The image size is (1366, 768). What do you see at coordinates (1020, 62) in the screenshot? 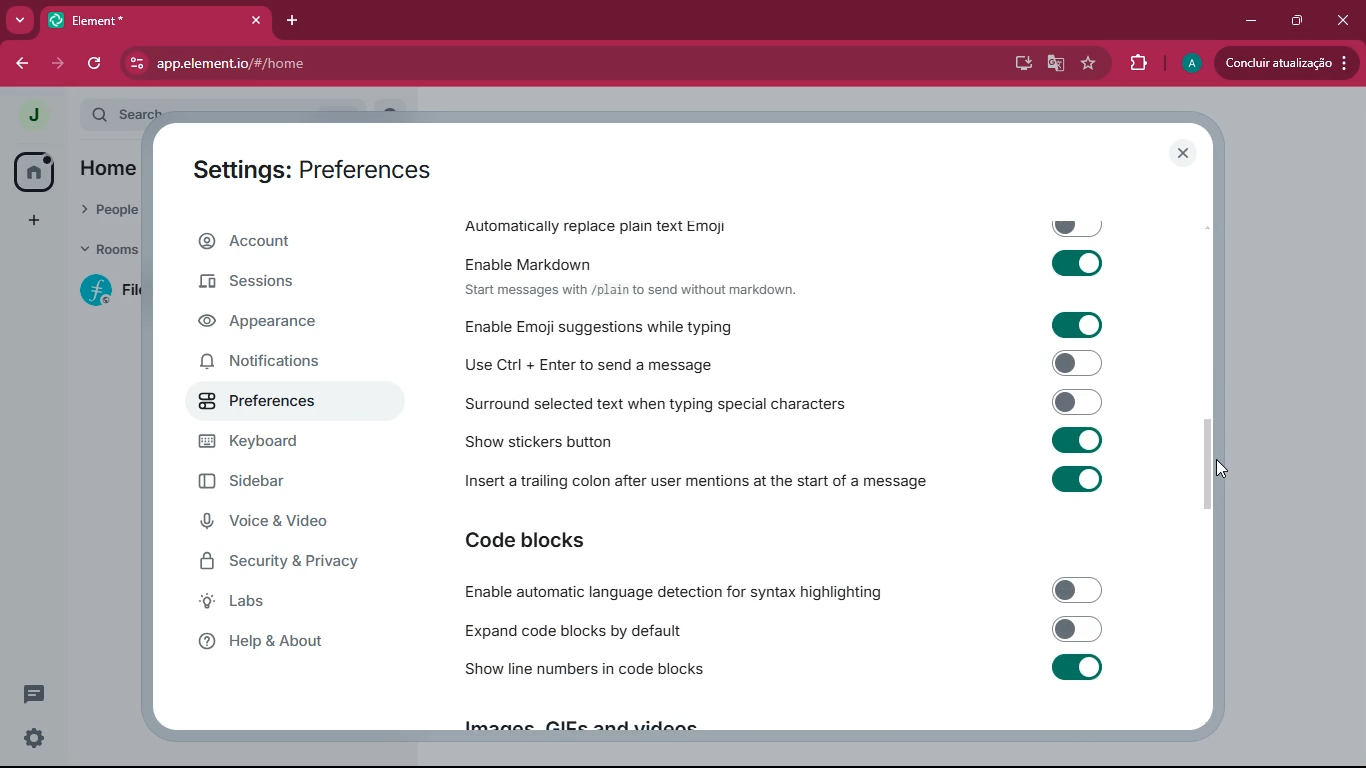
I see `desktop` at bounding box center [1020, 62].